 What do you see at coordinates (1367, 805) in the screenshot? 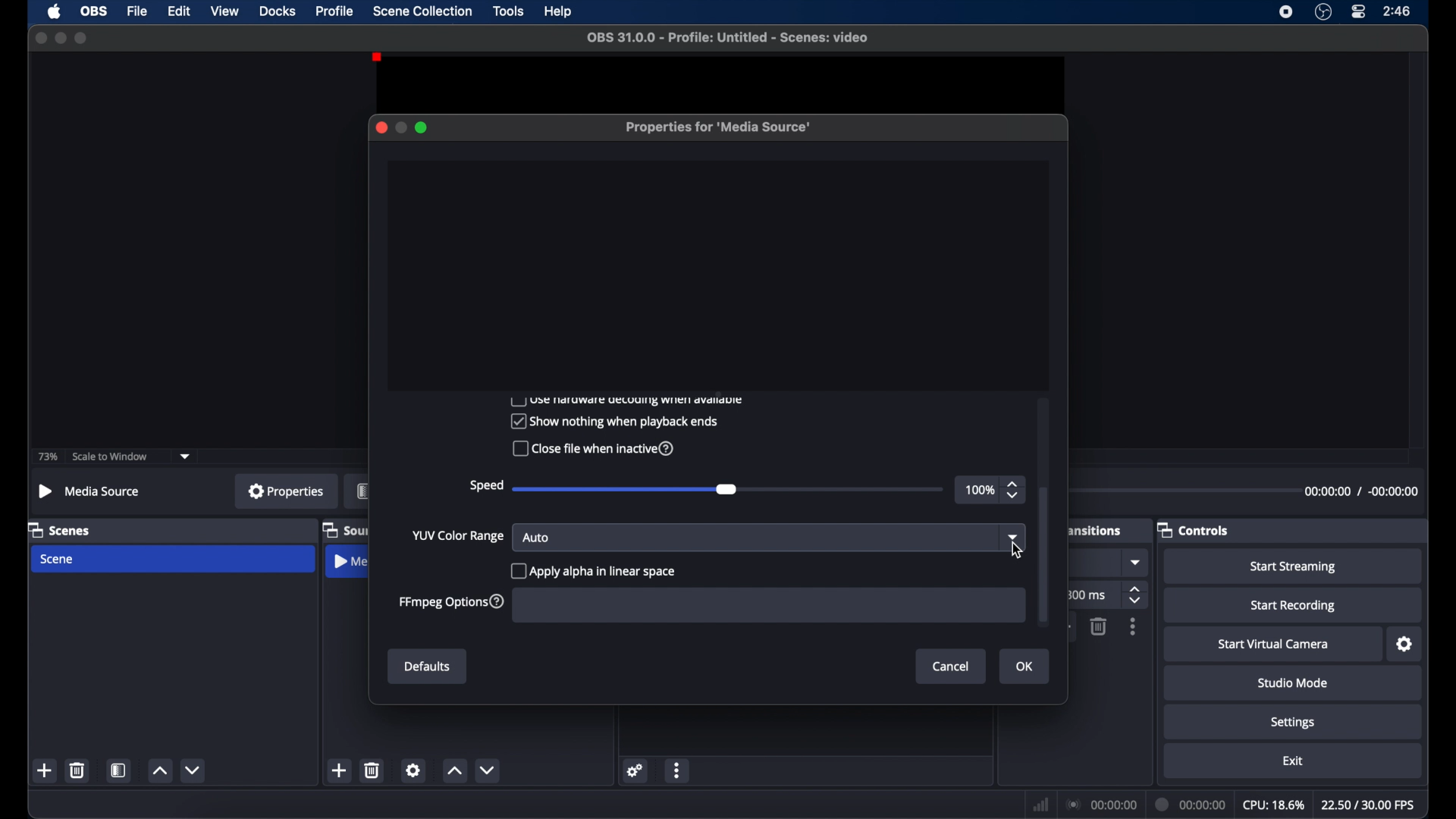
I see `fps` at bounding box center [1367, 805].